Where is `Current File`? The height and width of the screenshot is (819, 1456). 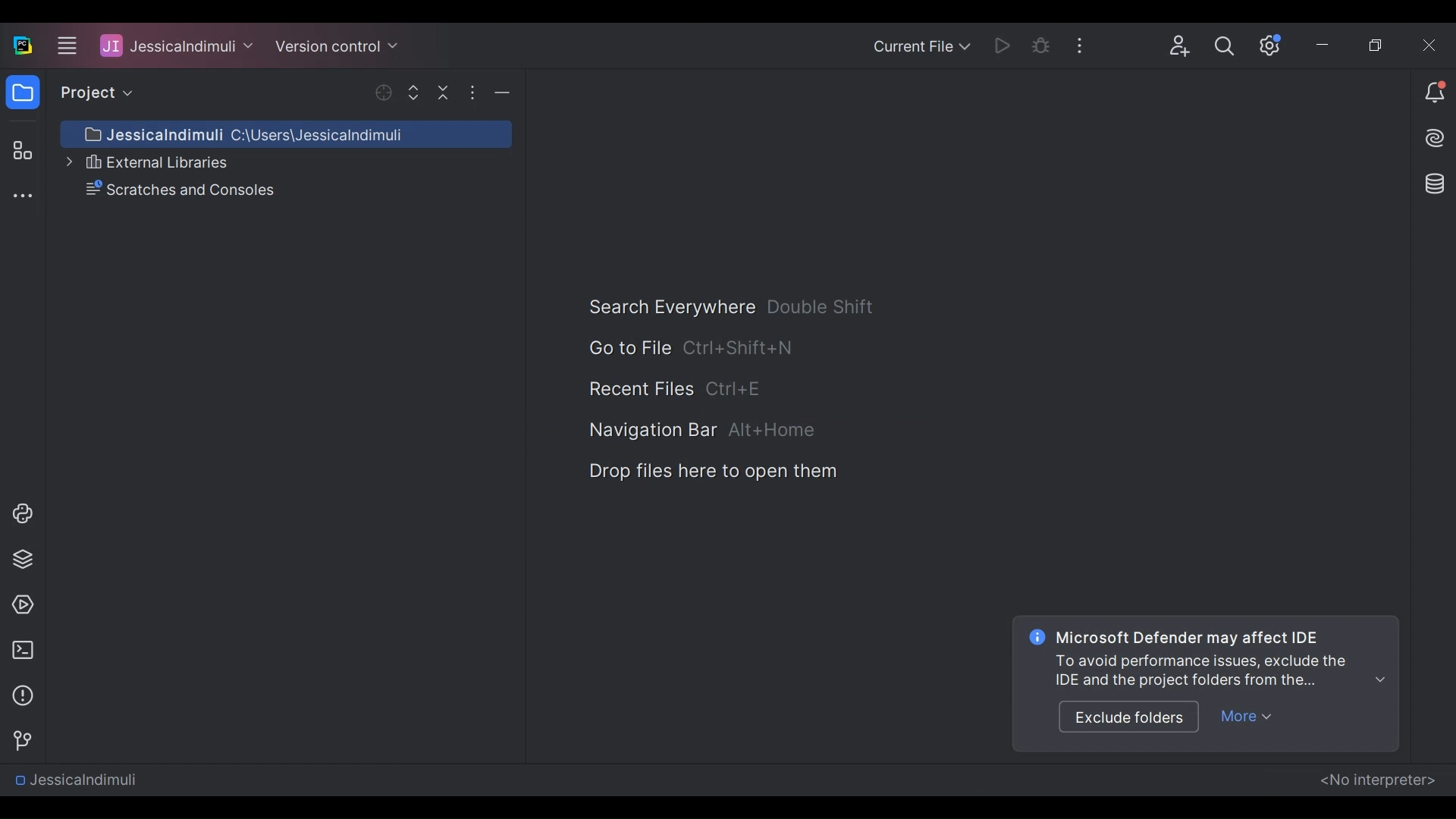 Current File is located at coordinates (921, 45).